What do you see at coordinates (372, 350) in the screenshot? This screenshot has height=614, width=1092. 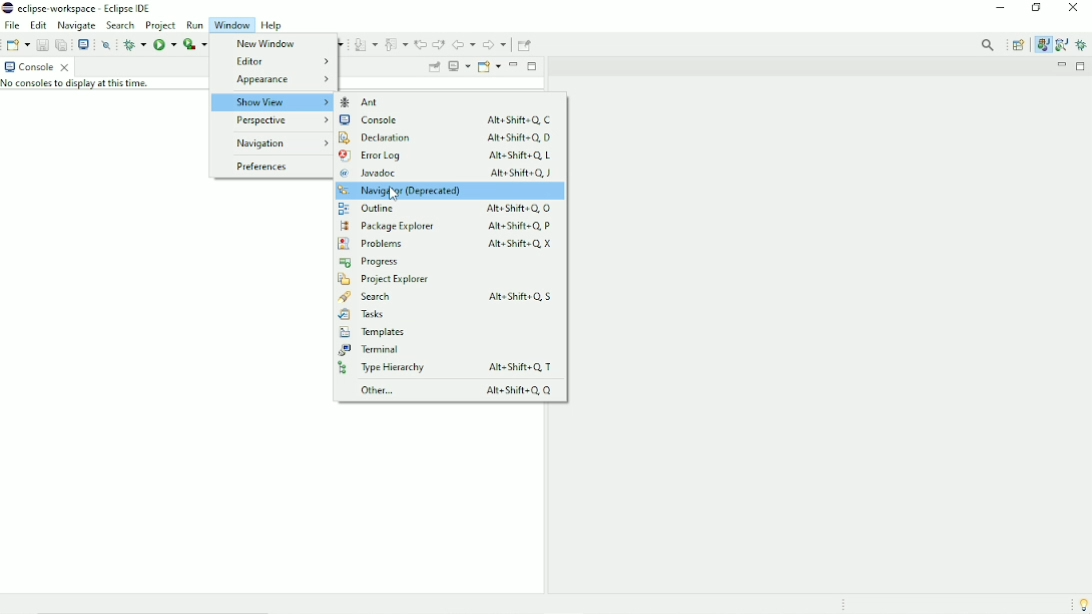 I see `Terminal` at bounding box center [372, 350].